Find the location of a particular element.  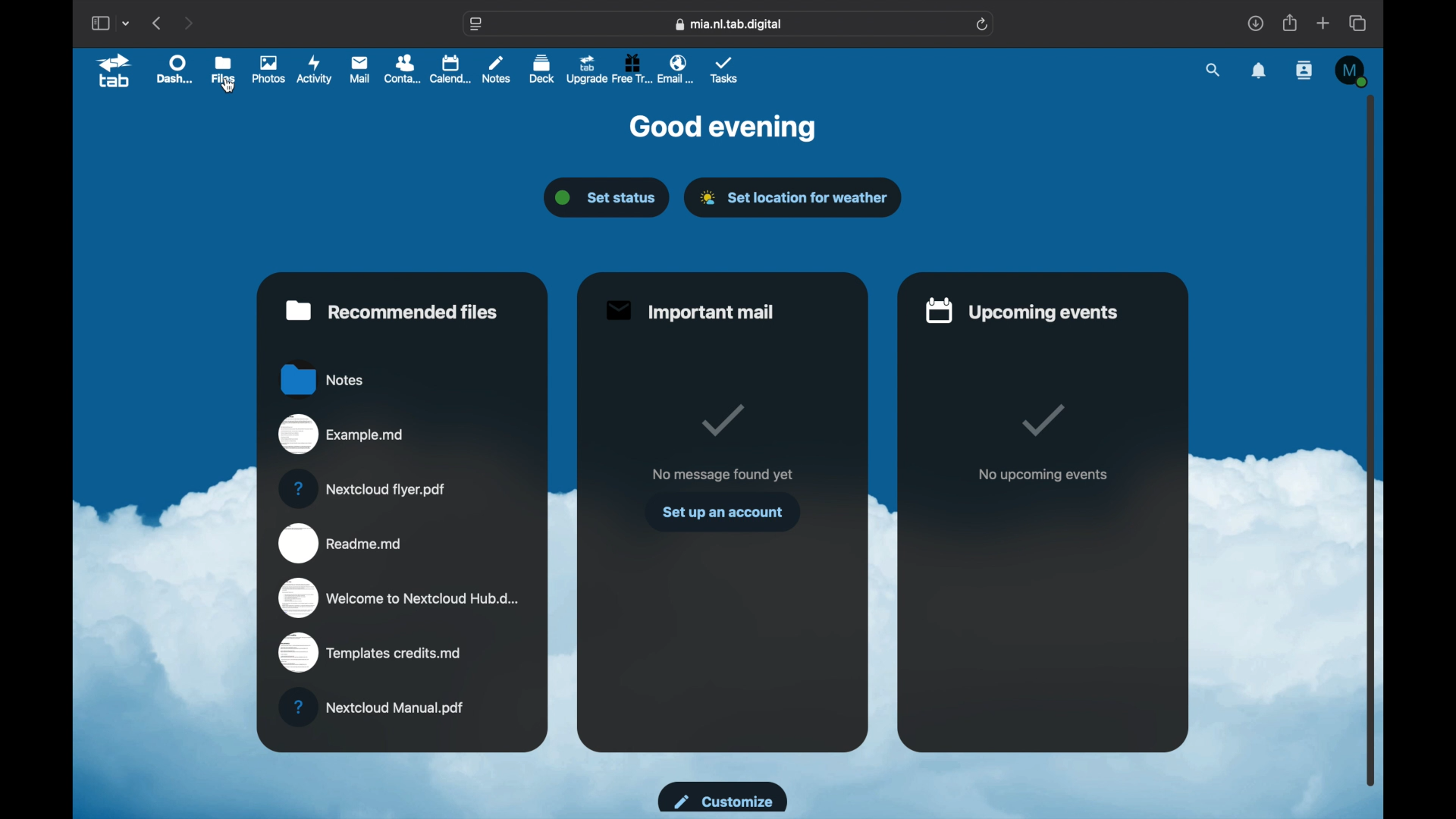

mail is located at coordinates (360, 69).